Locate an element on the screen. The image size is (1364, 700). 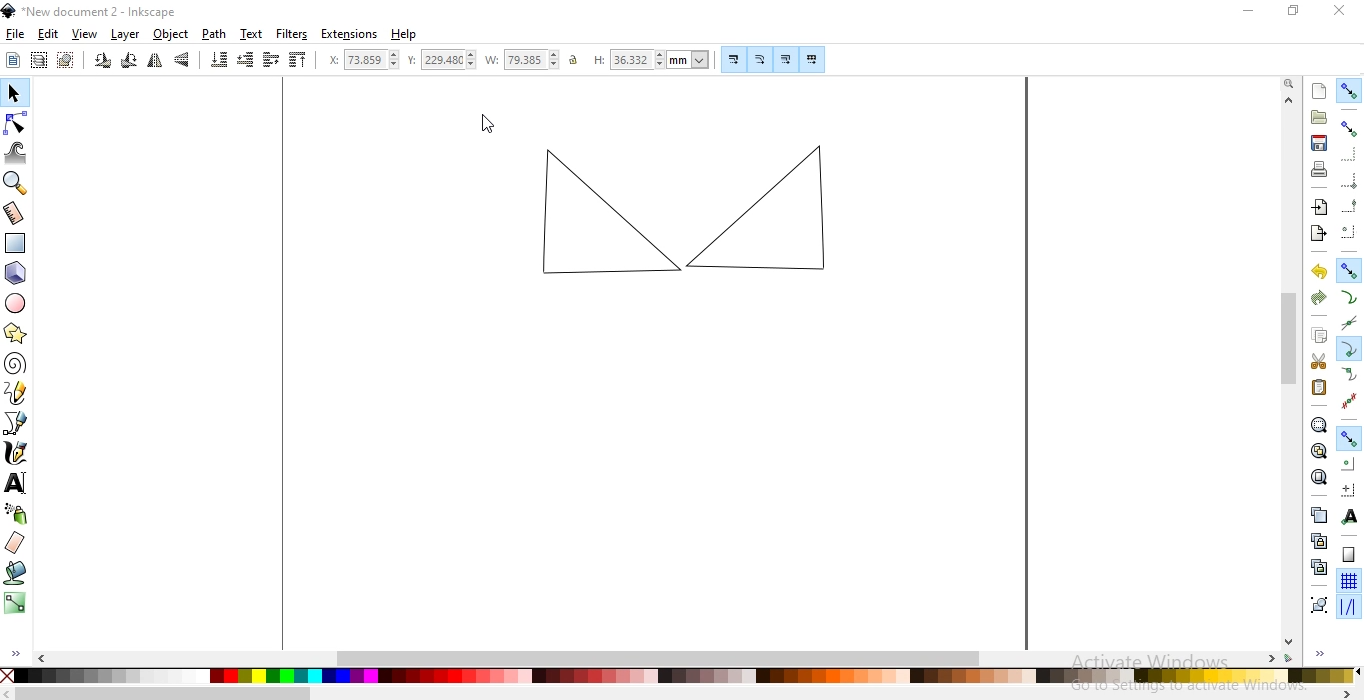
colors is located at coordinates (680, 676).